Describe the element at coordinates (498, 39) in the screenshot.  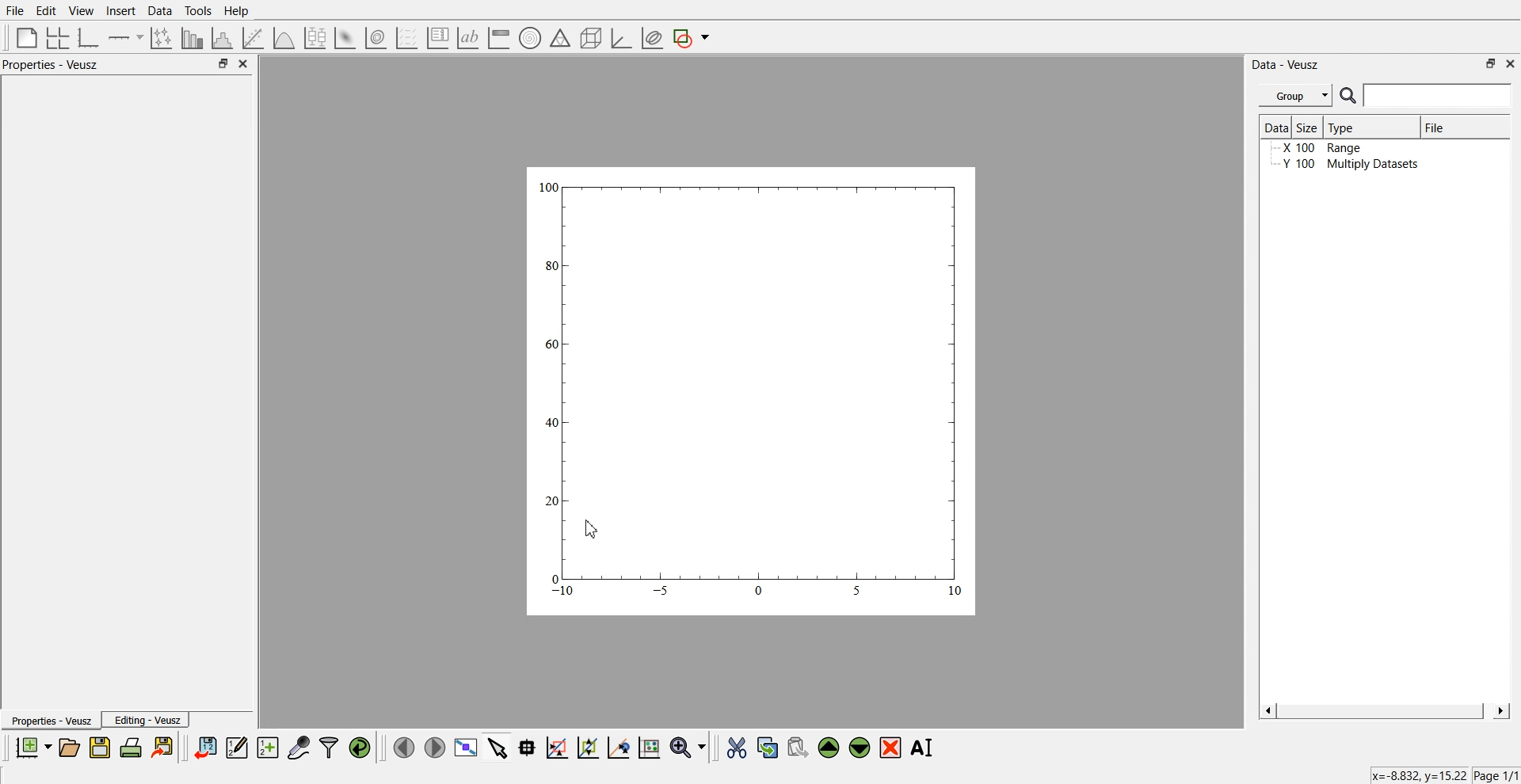
I see `image color bar` at that location.